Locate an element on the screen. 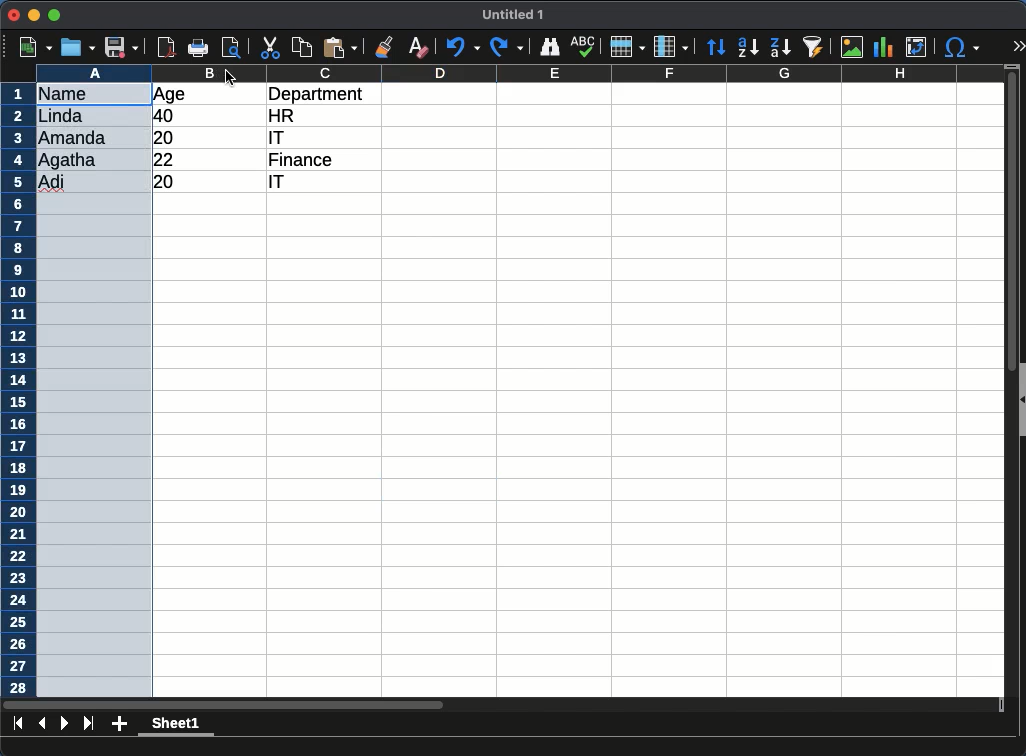 The width and height of the screenshot is (1026, 756). copy is located at coordinates (303, 47).